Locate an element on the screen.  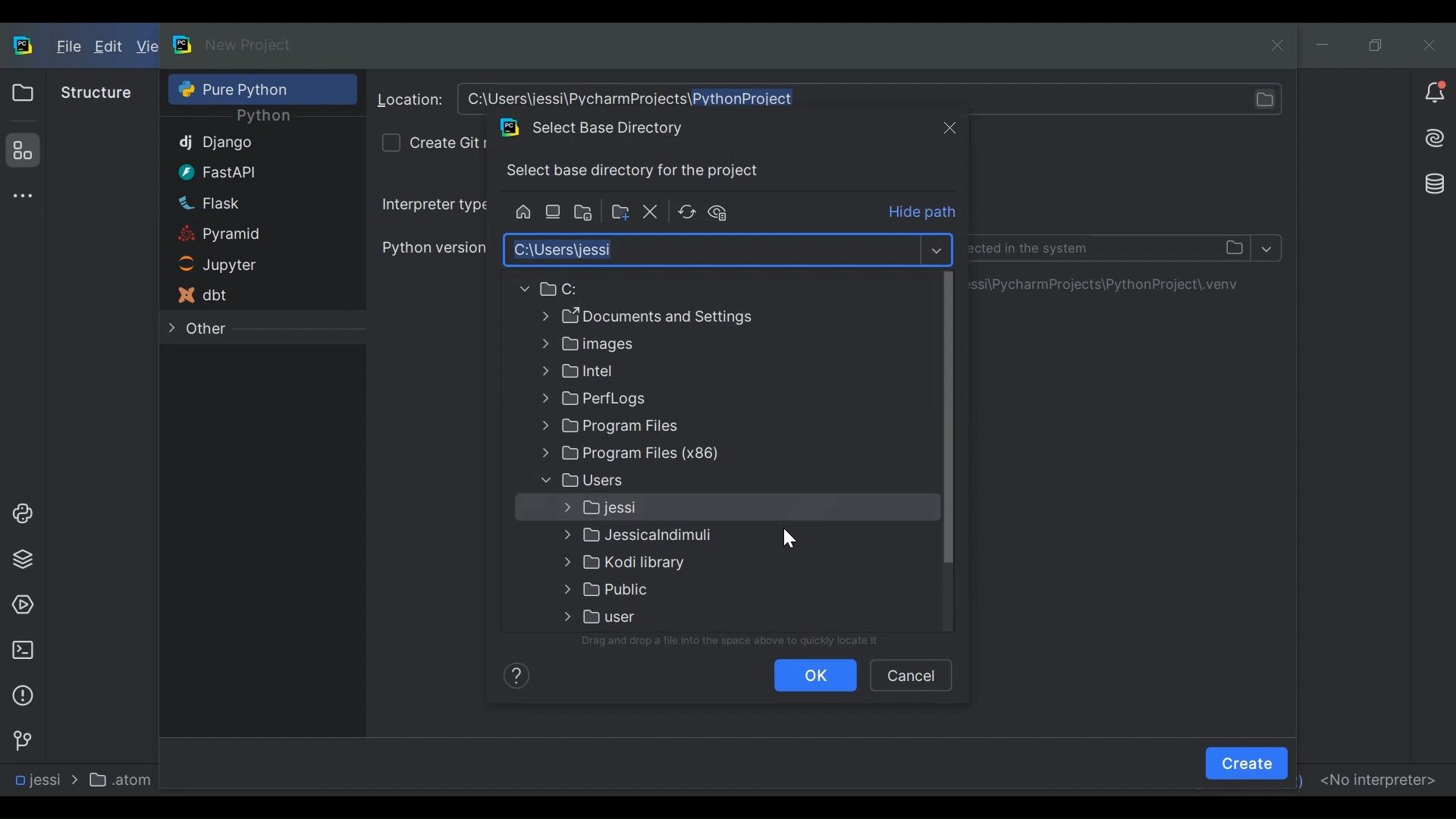
Restore is located at coordinates (1376, 45).